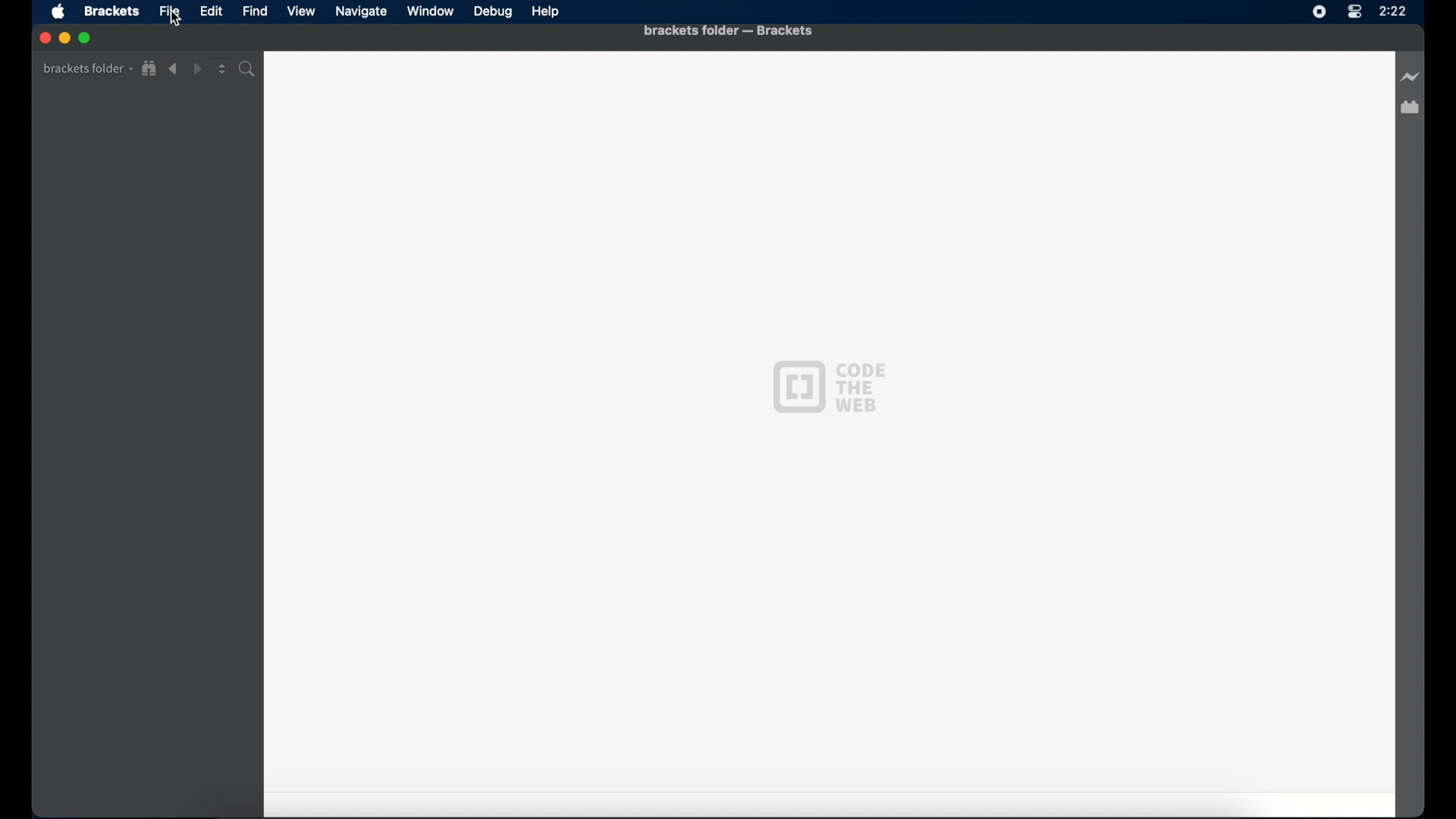  Describe the element at coordinates (43, 38) in the screenshot. I see `close` at that location.